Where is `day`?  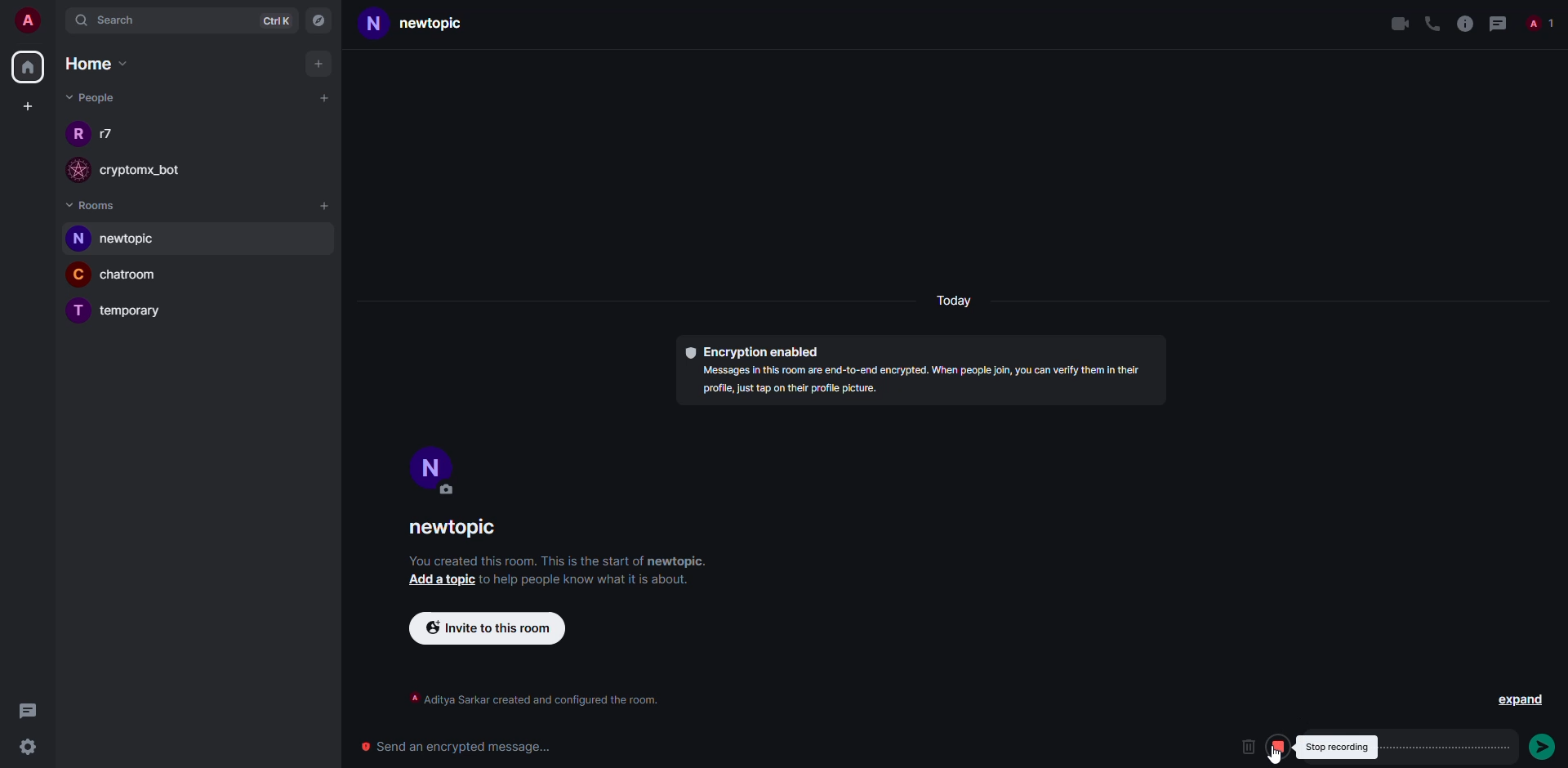 day is located at coordinates (951, 302).